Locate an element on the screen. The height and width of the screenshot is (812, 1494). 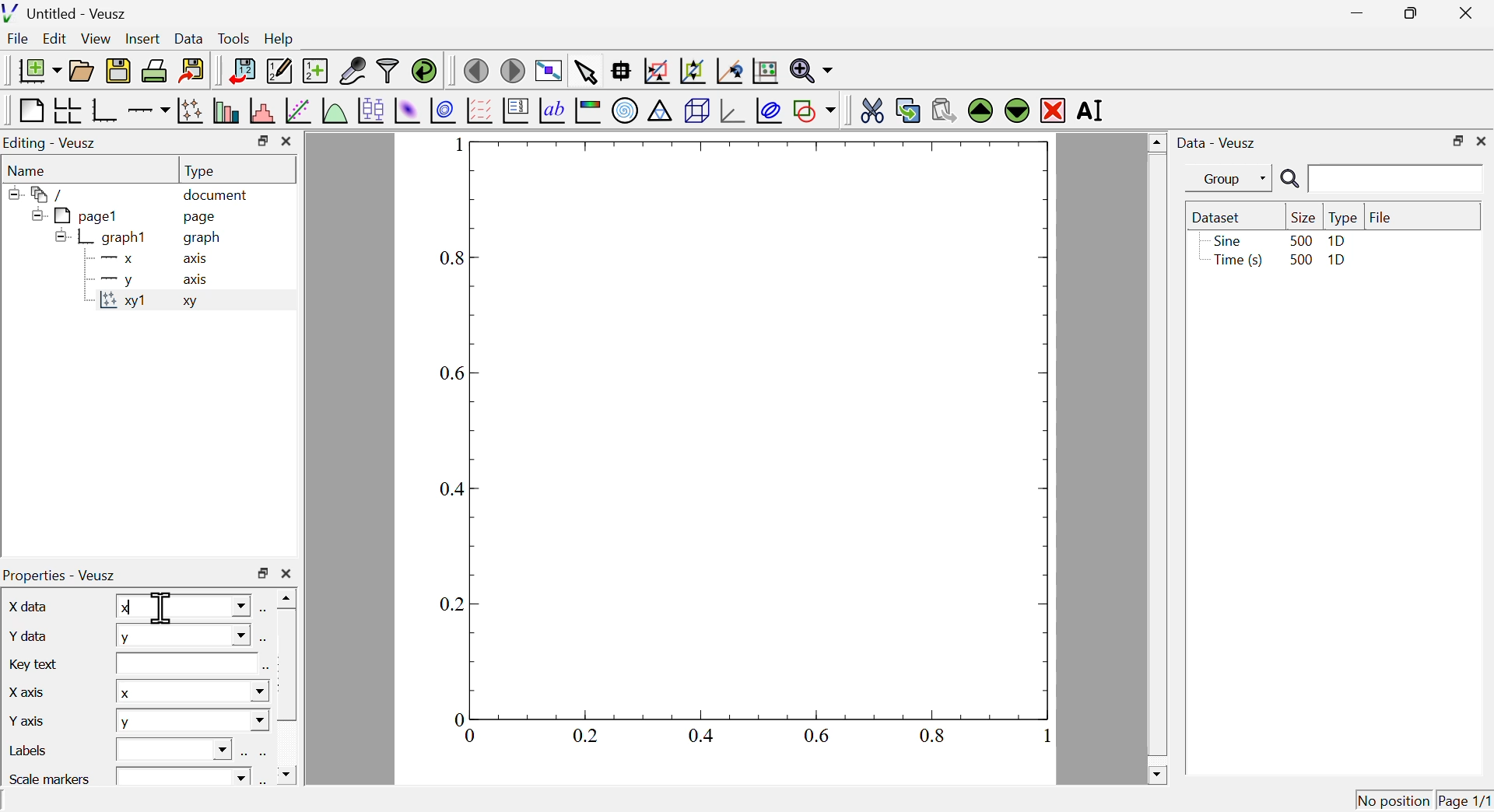
y axis is located at coordinates (30, 719).